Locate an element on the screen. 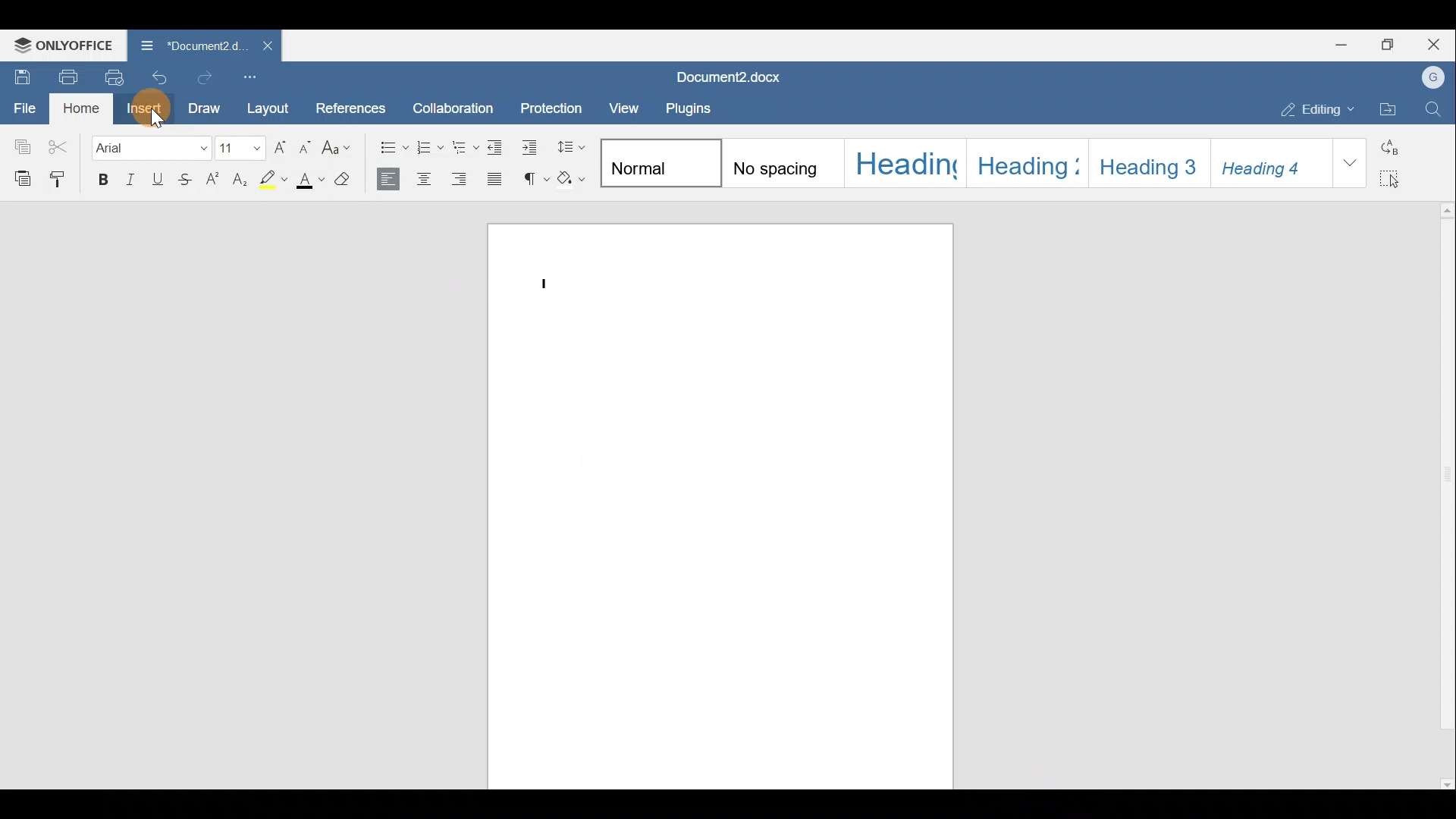 Image resolution: width=1456 pixels, height=819 pixels. Paste is located at coordinates (19, 177).